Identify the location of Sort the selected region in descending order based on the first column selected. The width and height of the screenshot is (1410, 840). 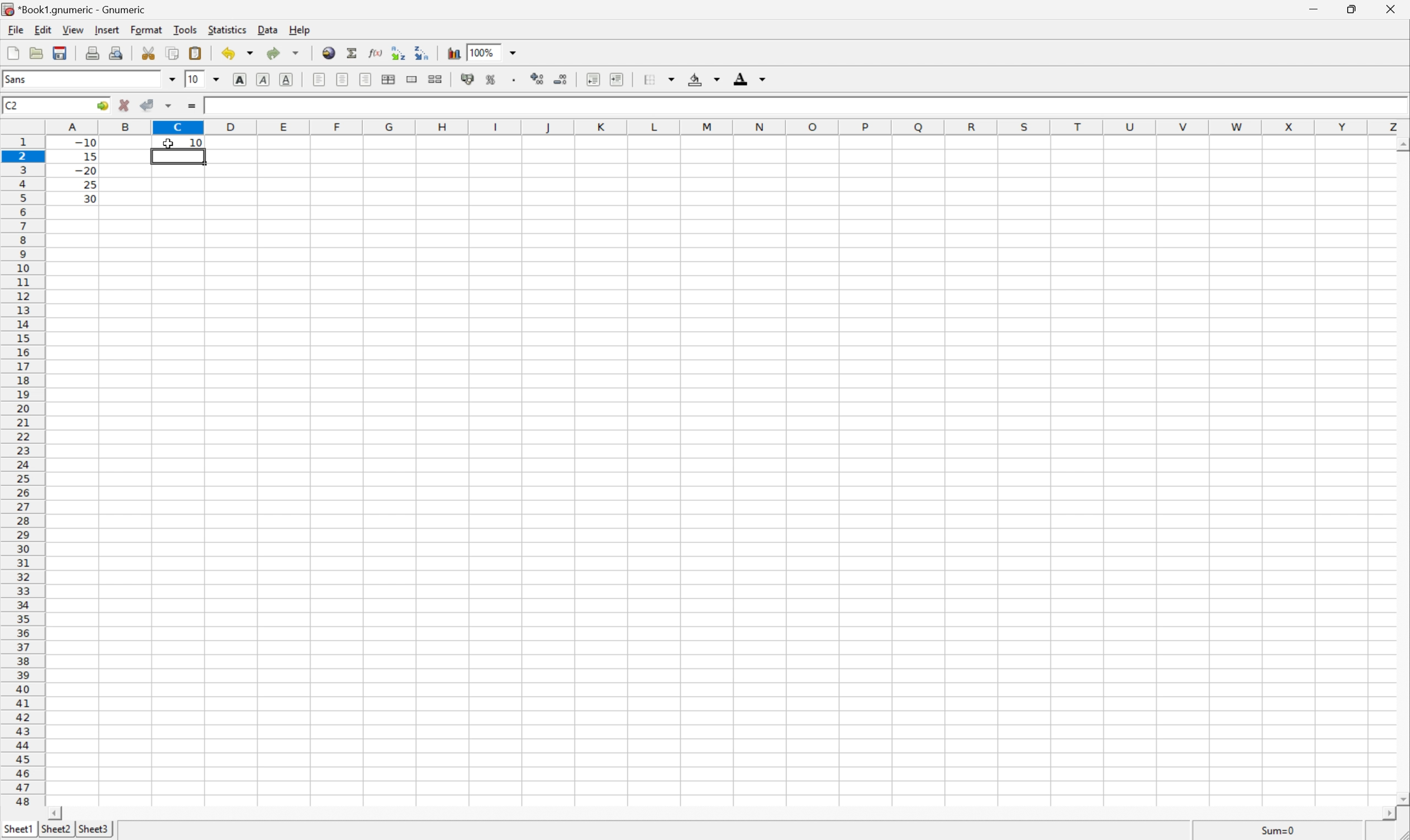
(421, 52).